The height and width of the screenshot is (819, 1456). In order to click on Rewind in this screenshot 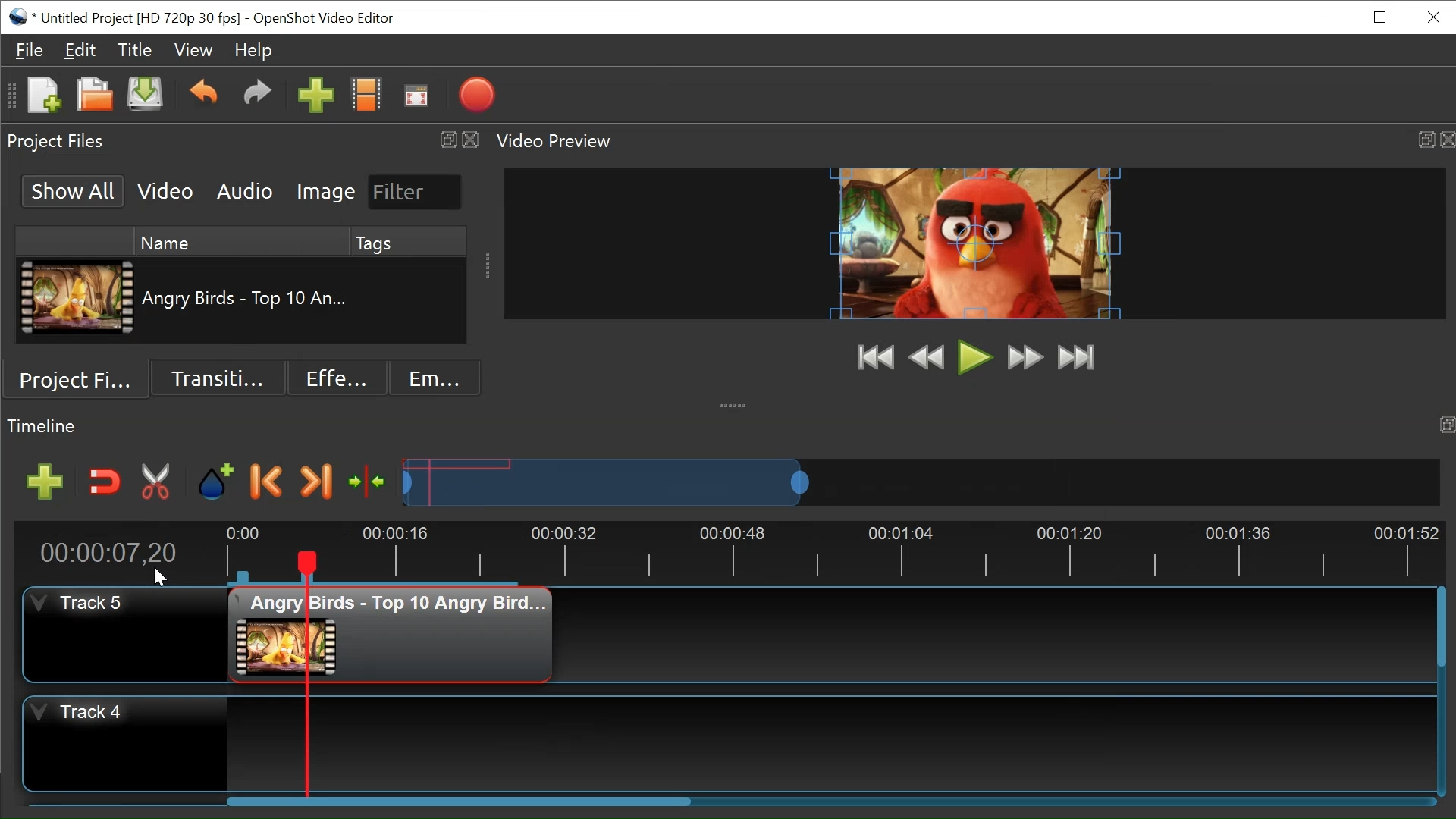, I will do `click(927, 358)`.